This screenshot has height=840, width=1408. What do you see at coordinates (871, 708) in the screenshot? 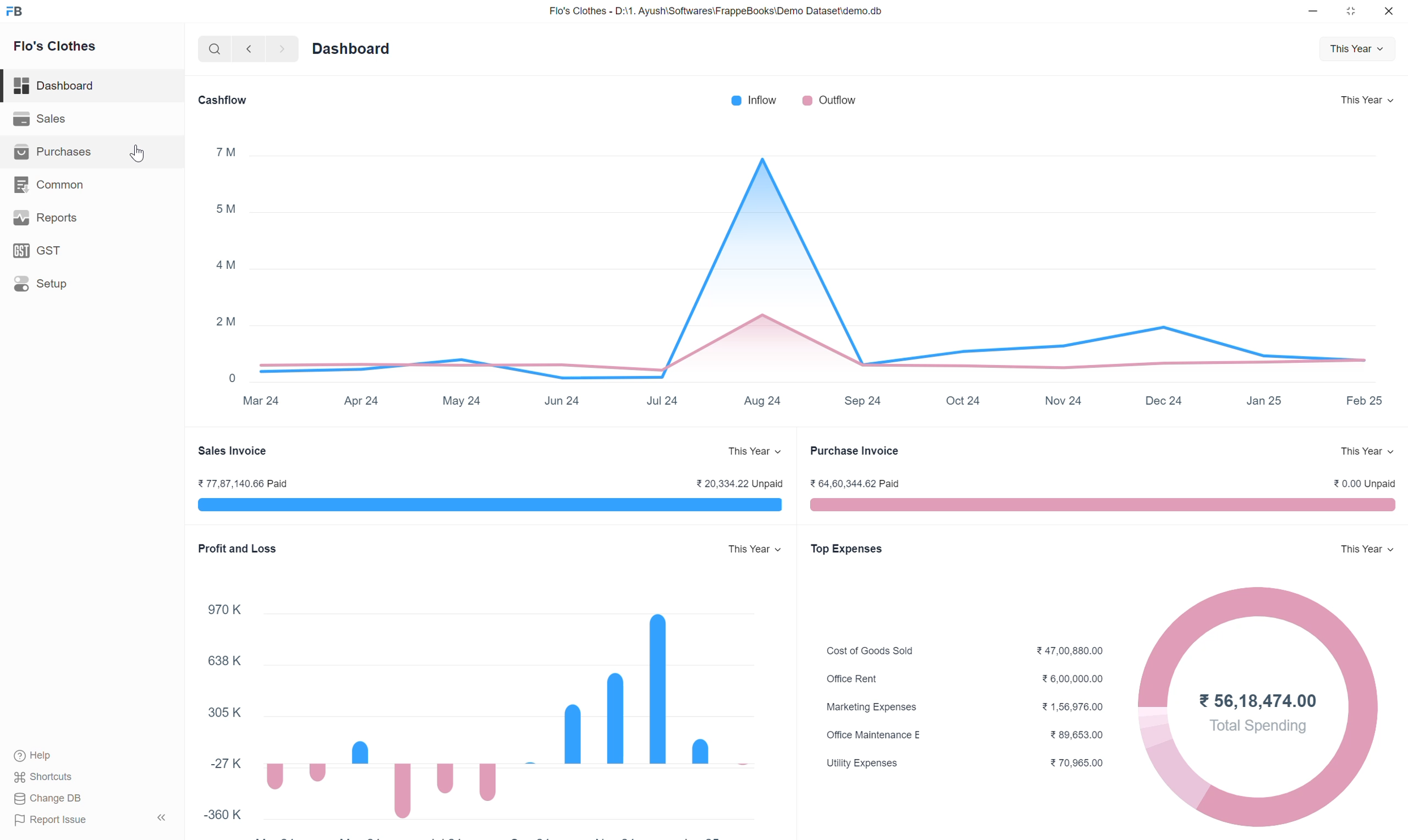
I see `Marketing Expenses` at bounding box center [871, 708].